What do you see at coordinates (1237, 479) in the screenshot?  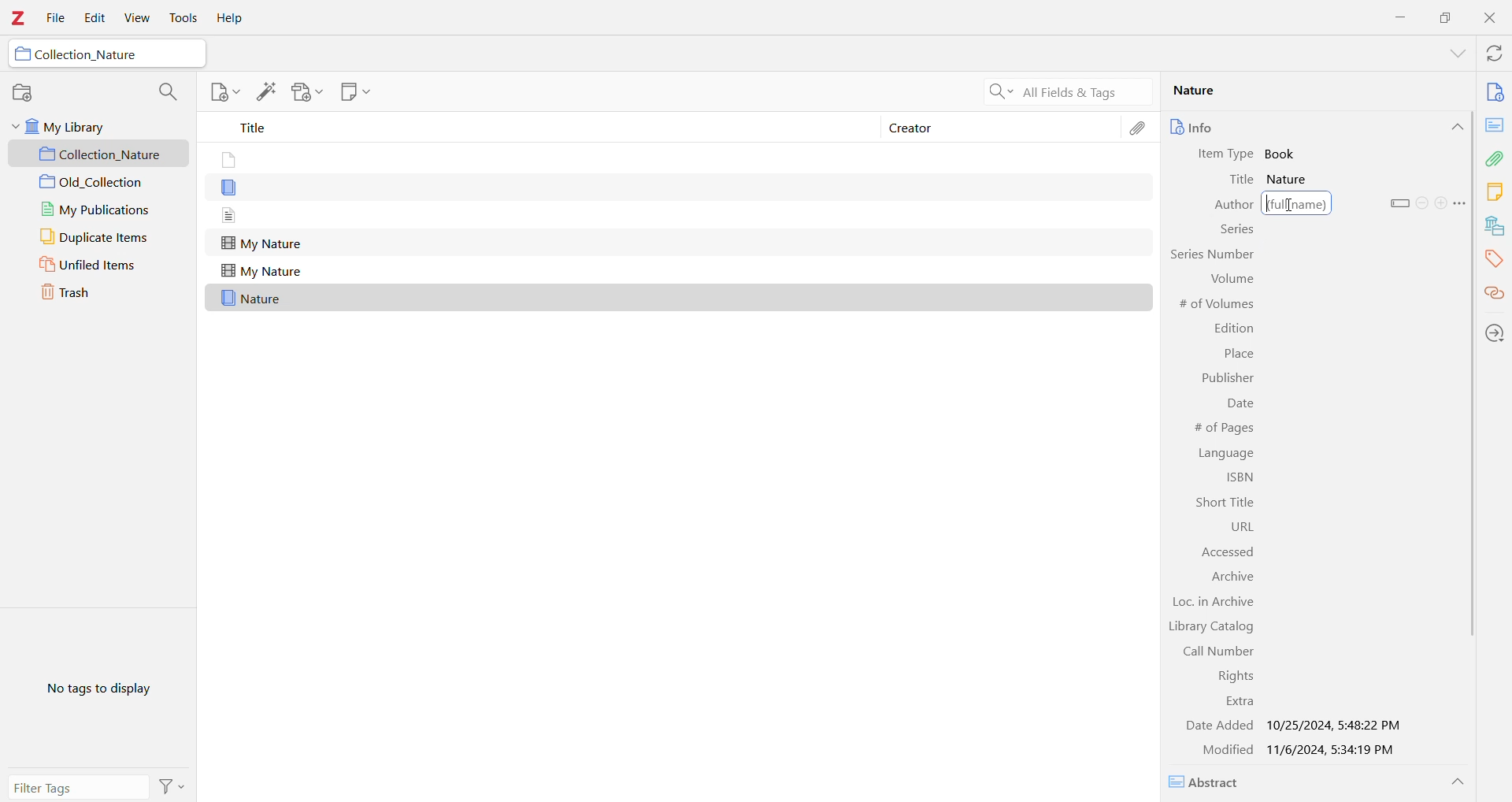 I see `ISBN` at bounding box center [1237, 479].